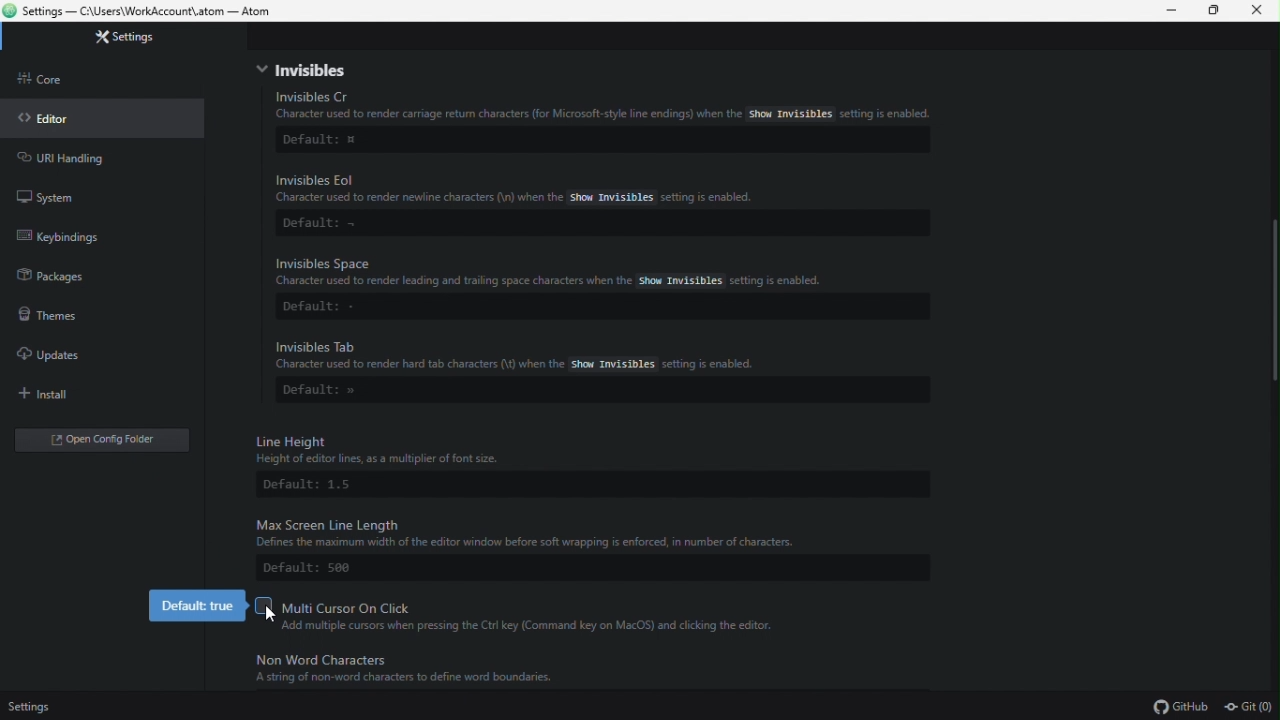 The height and width of the screenshot is (720, 1280). I want to click on Line HeightHeight of editor fines, as a multiplier of font size., so click(436, 446).